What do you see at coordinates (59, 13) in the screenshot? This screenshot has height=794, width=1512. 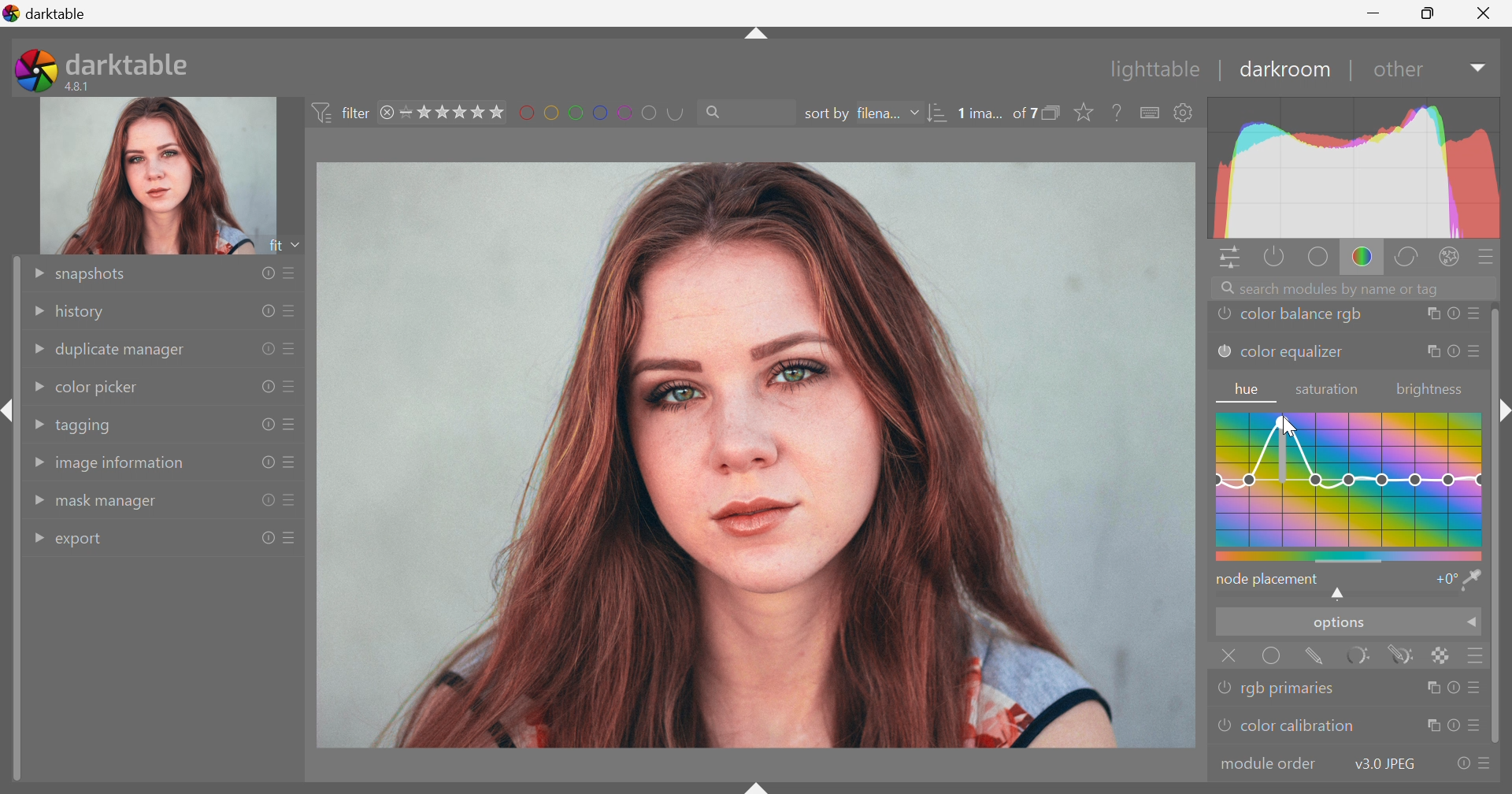 I see `darktable` at bounding box center [59, 13].